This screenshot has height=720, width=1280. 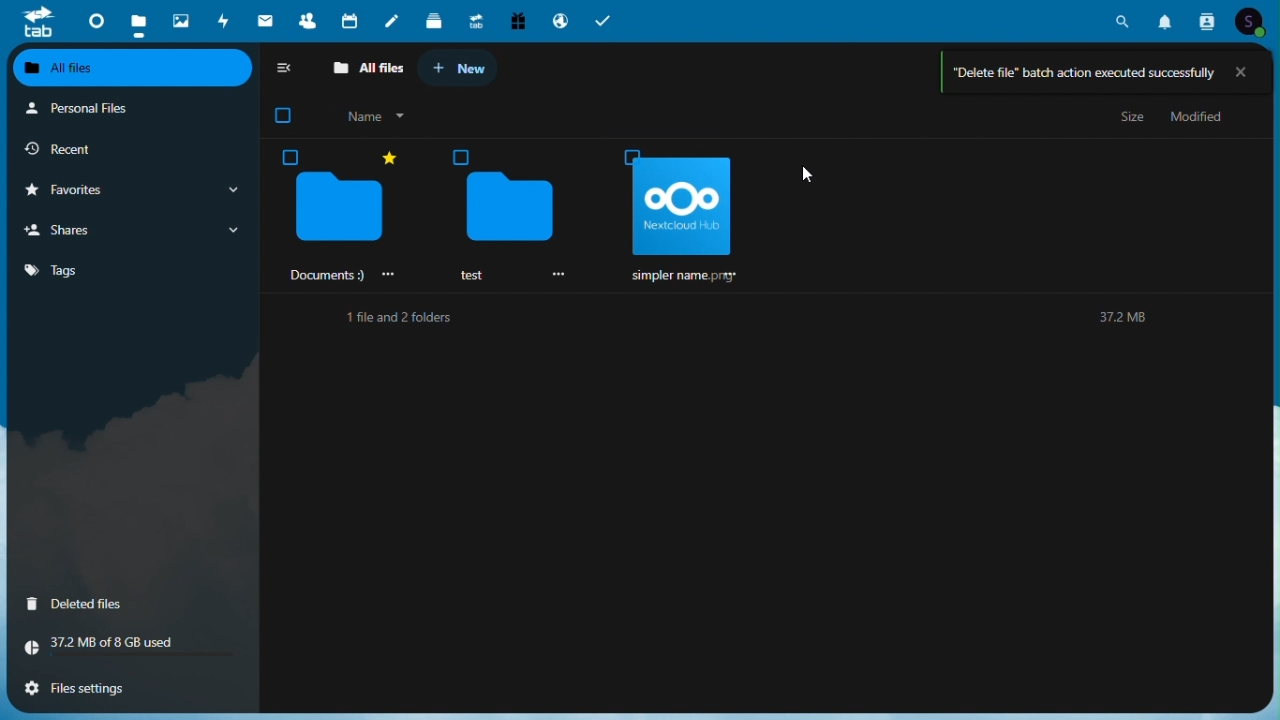 I want to click on Notes , so click(x=395, y=22).